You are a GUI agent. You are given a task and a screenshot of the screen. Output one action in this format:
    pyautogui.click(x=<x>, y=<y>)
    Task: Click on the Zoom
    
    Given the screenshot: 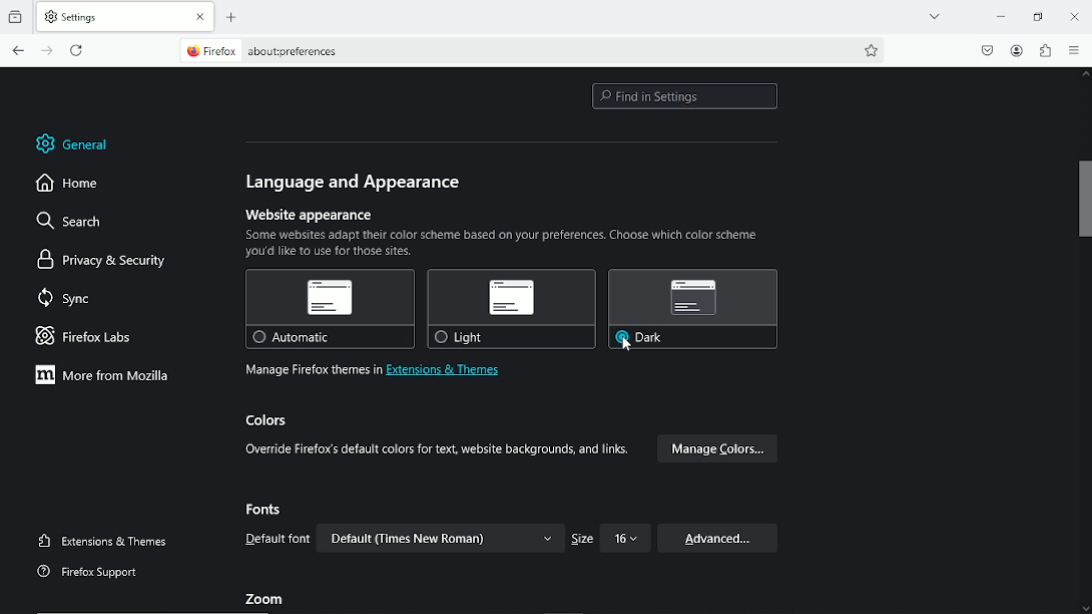 What is the action you would take?
    pyautogui.click(x=268, y=599)
    